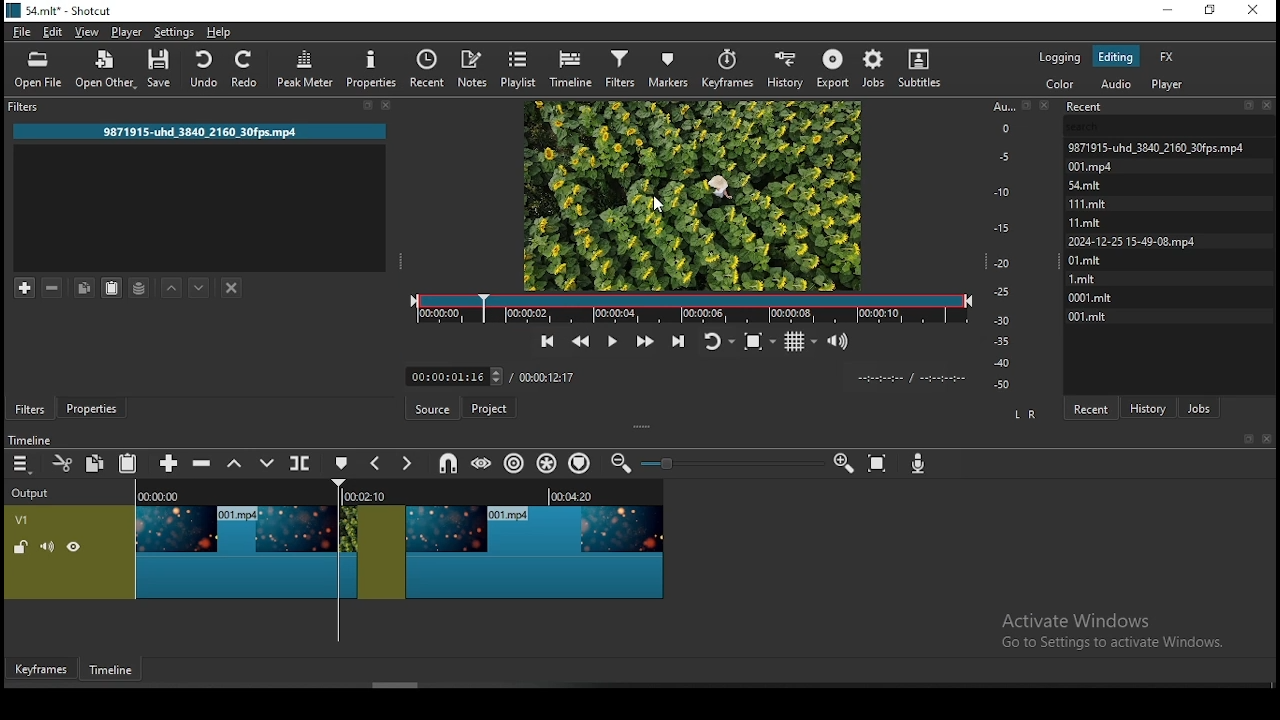 This screenshot has width=1280, height=720. I want to click on close, so click(1267, 439).